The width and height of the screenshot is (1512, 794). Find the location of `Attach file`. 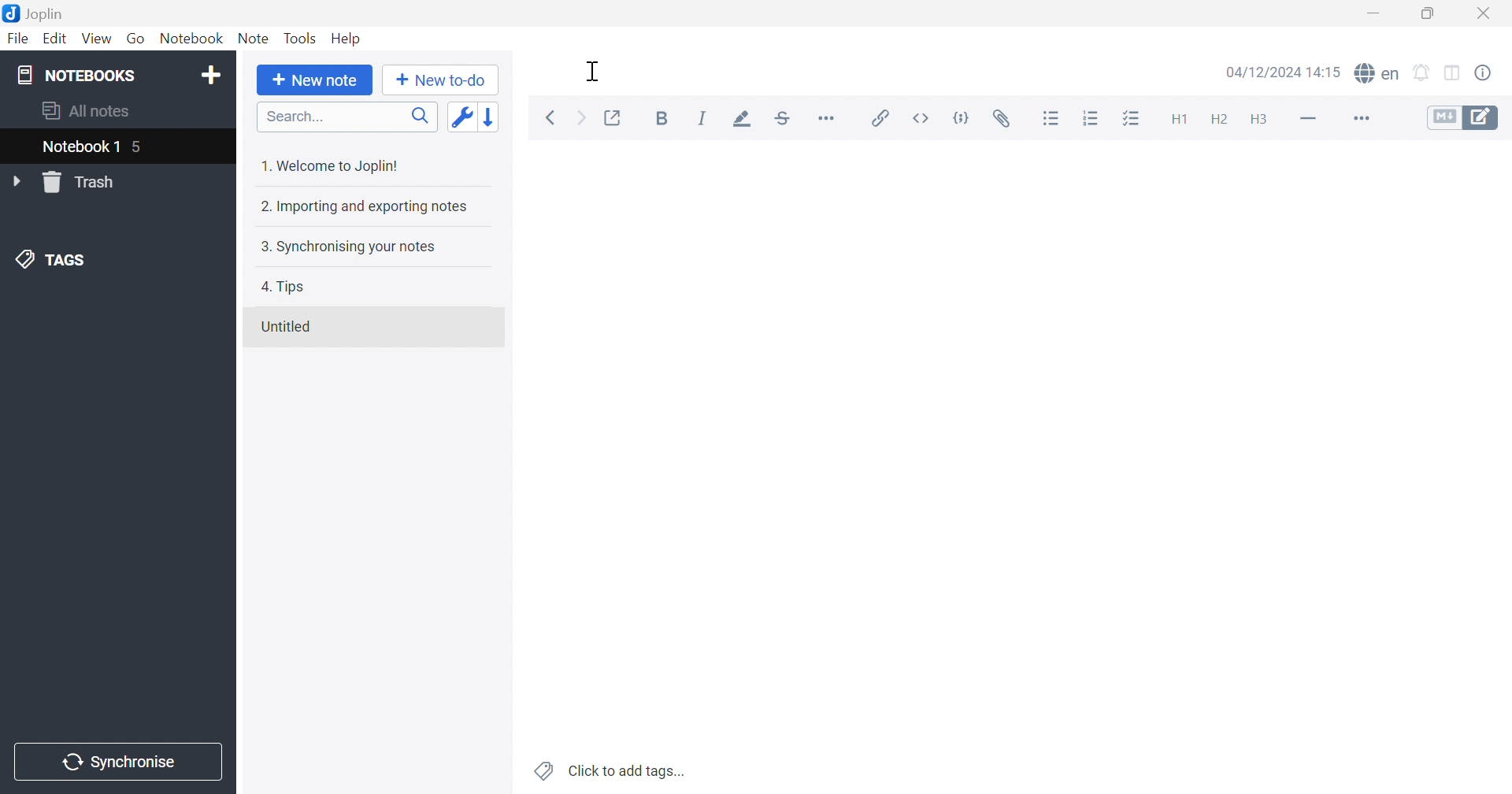

Attach file is located at coordinates (1002, 119).